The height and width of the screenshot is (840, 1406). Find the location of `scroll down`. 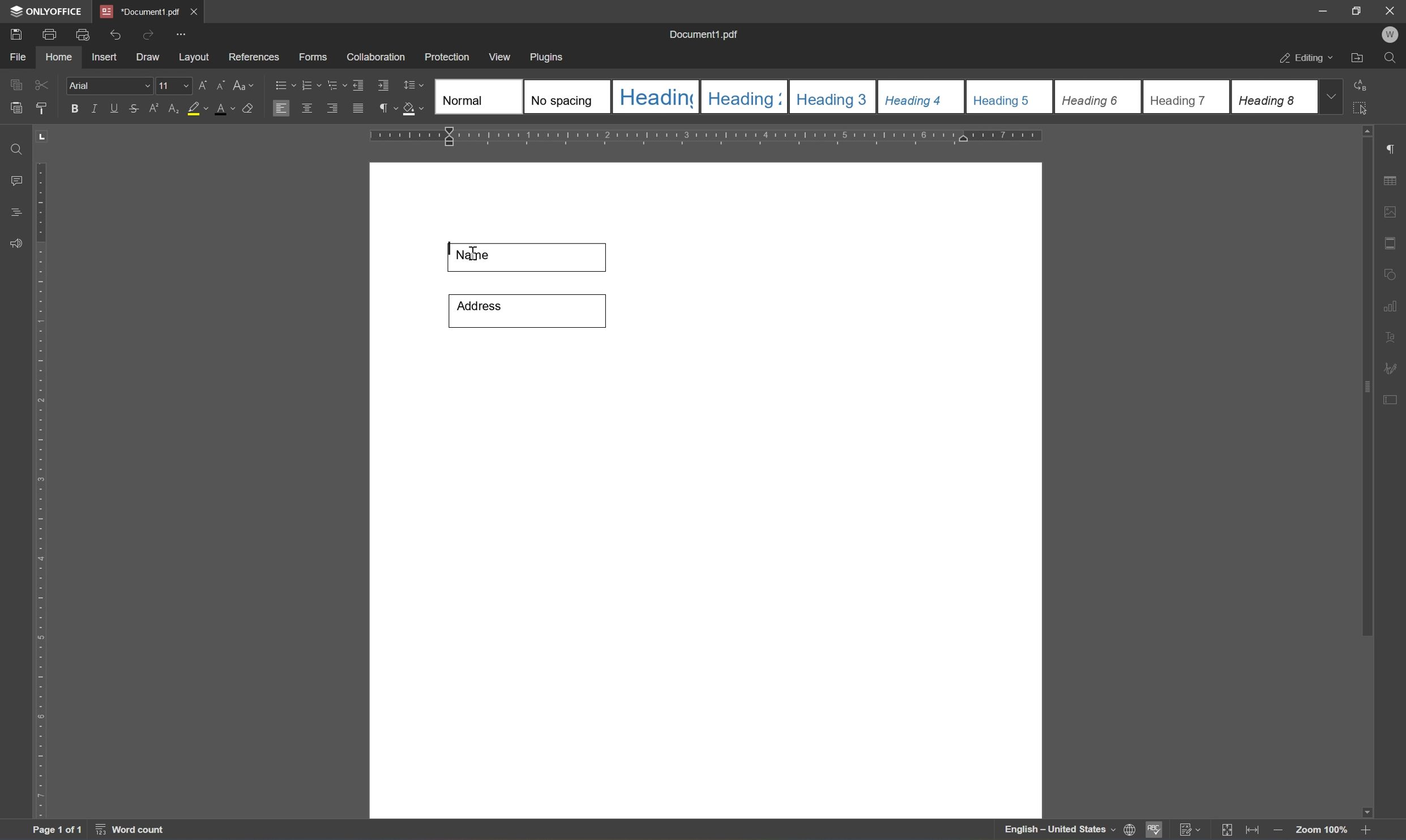

scroll down is located at coordinates (1362, 809).